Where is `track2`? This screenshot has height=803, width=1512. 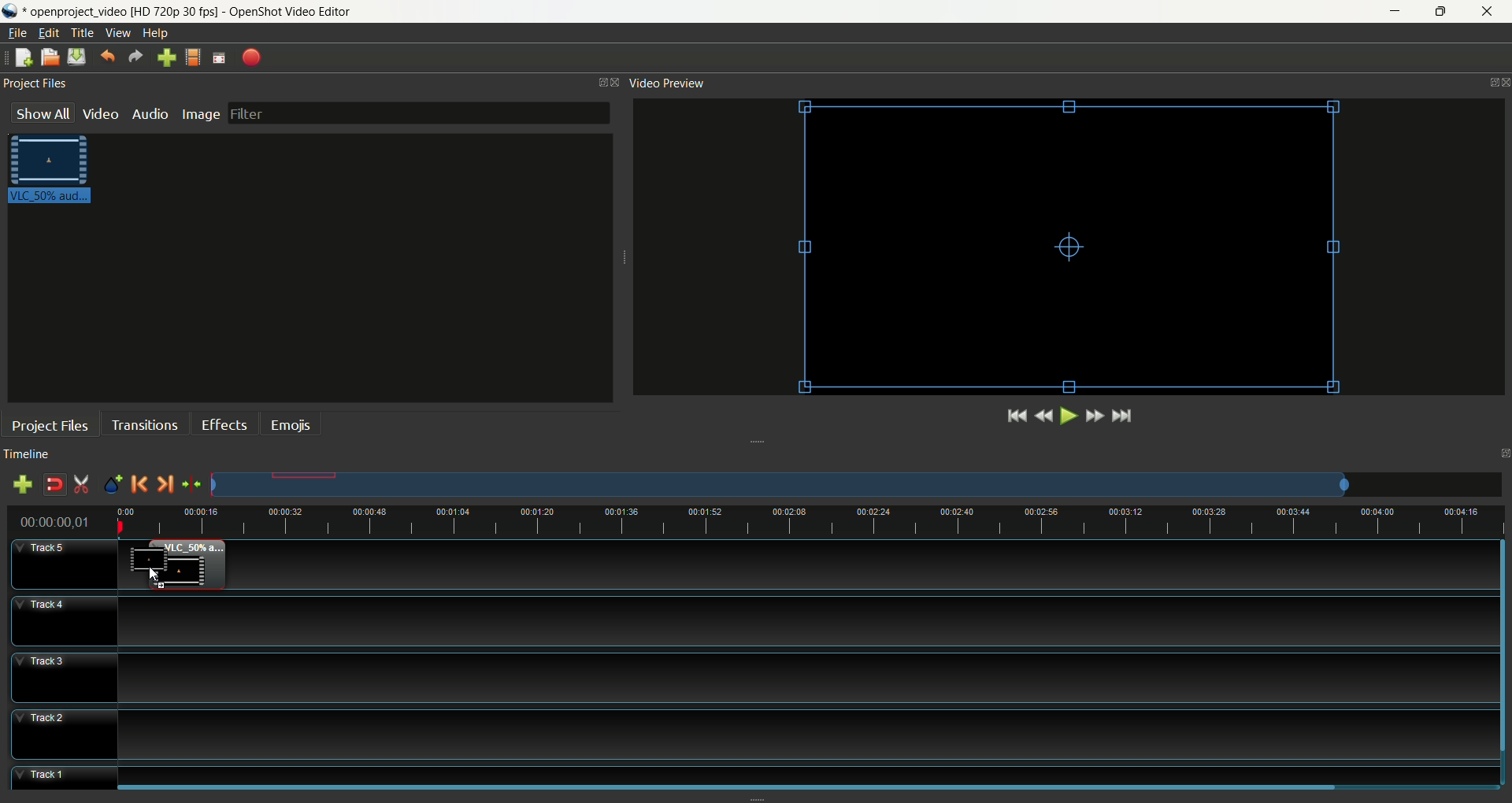
track2 is located at coordinates (754, 735).